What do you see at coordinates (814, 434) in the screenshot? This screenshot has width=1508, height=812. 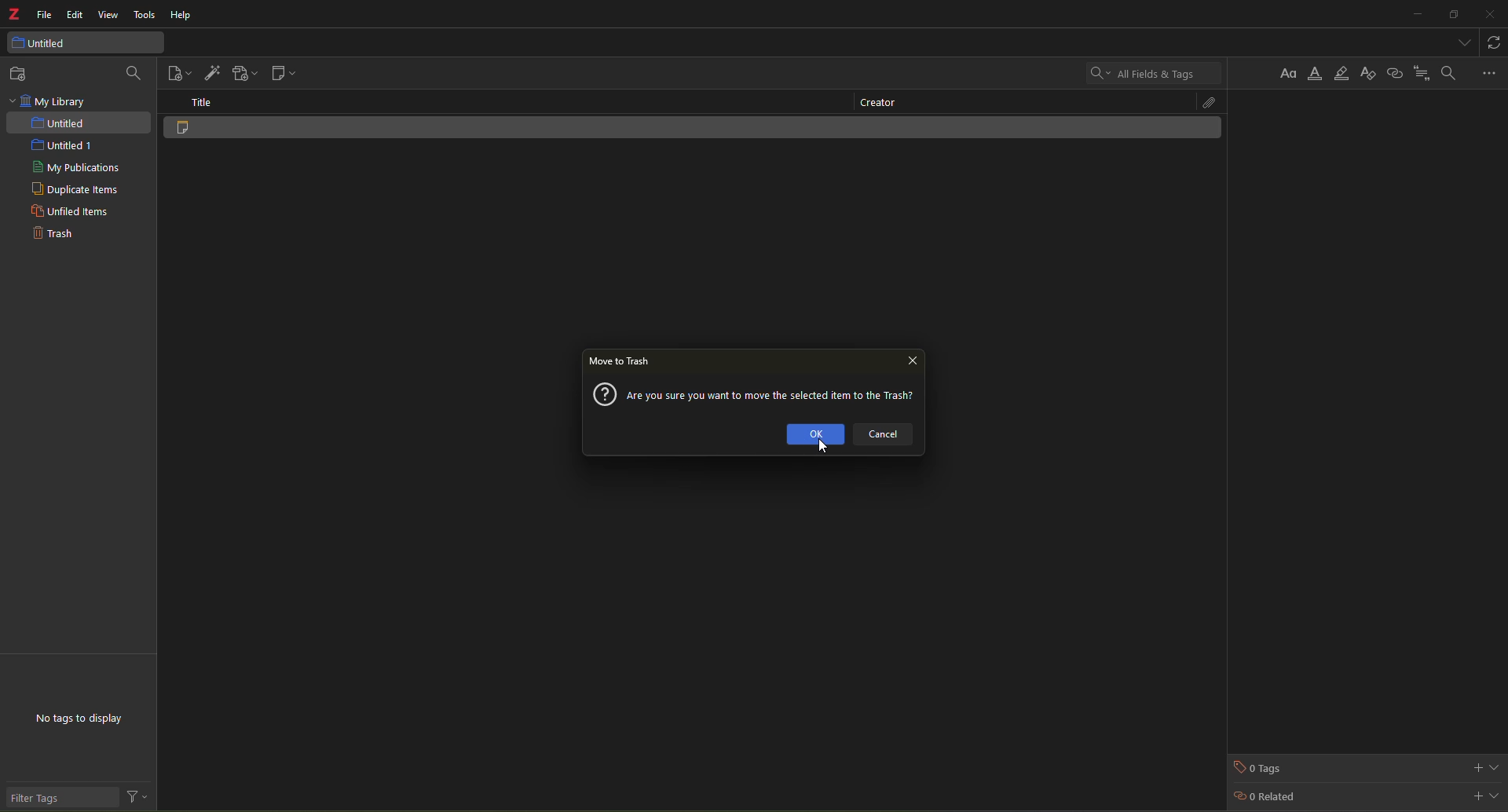 I see `ok` at bounding box center [814, 434].